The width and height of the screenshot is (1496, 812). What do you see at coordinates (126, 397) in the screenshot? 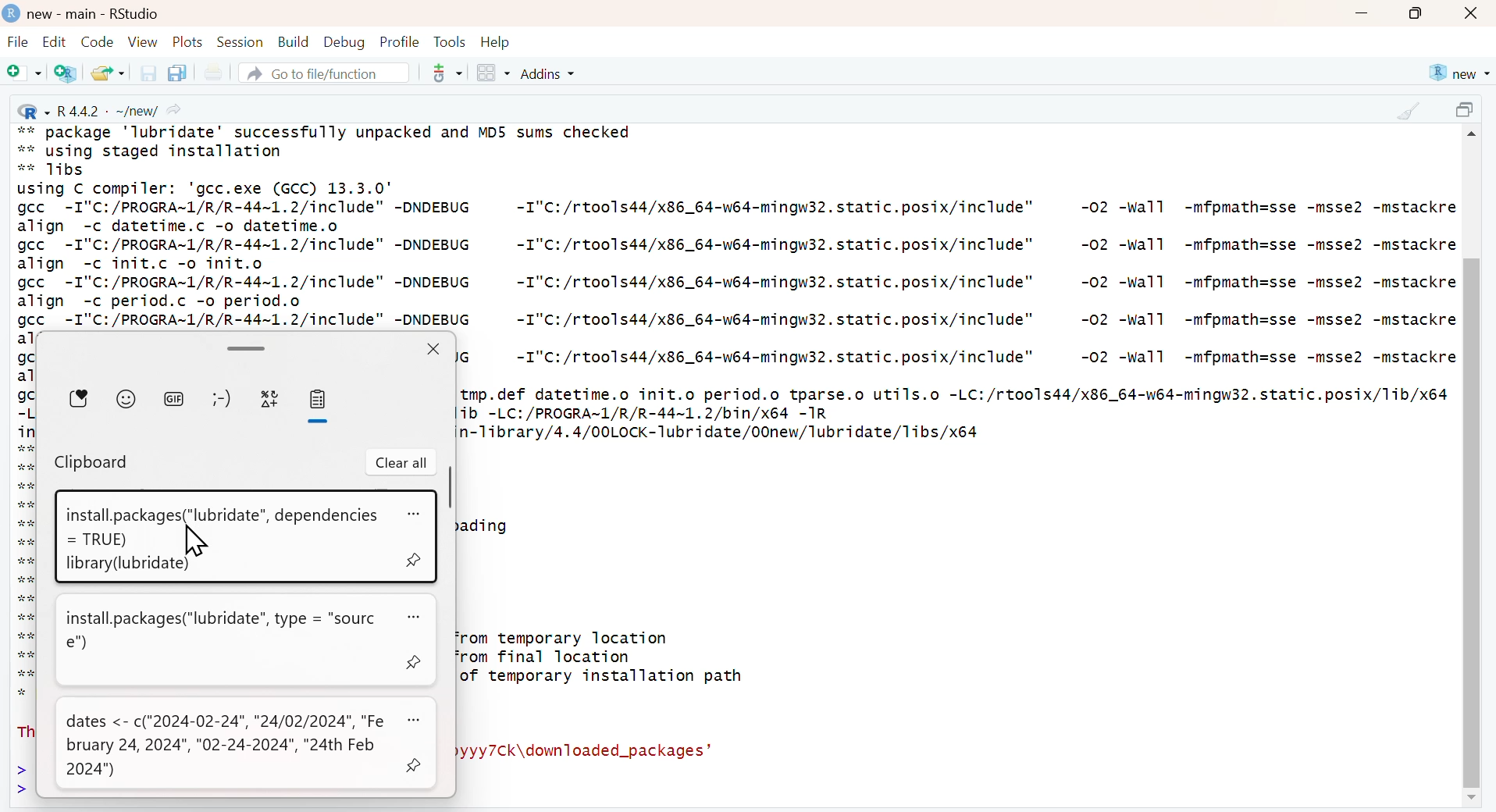
I see `Emoji` at bounding box center [126, 397].